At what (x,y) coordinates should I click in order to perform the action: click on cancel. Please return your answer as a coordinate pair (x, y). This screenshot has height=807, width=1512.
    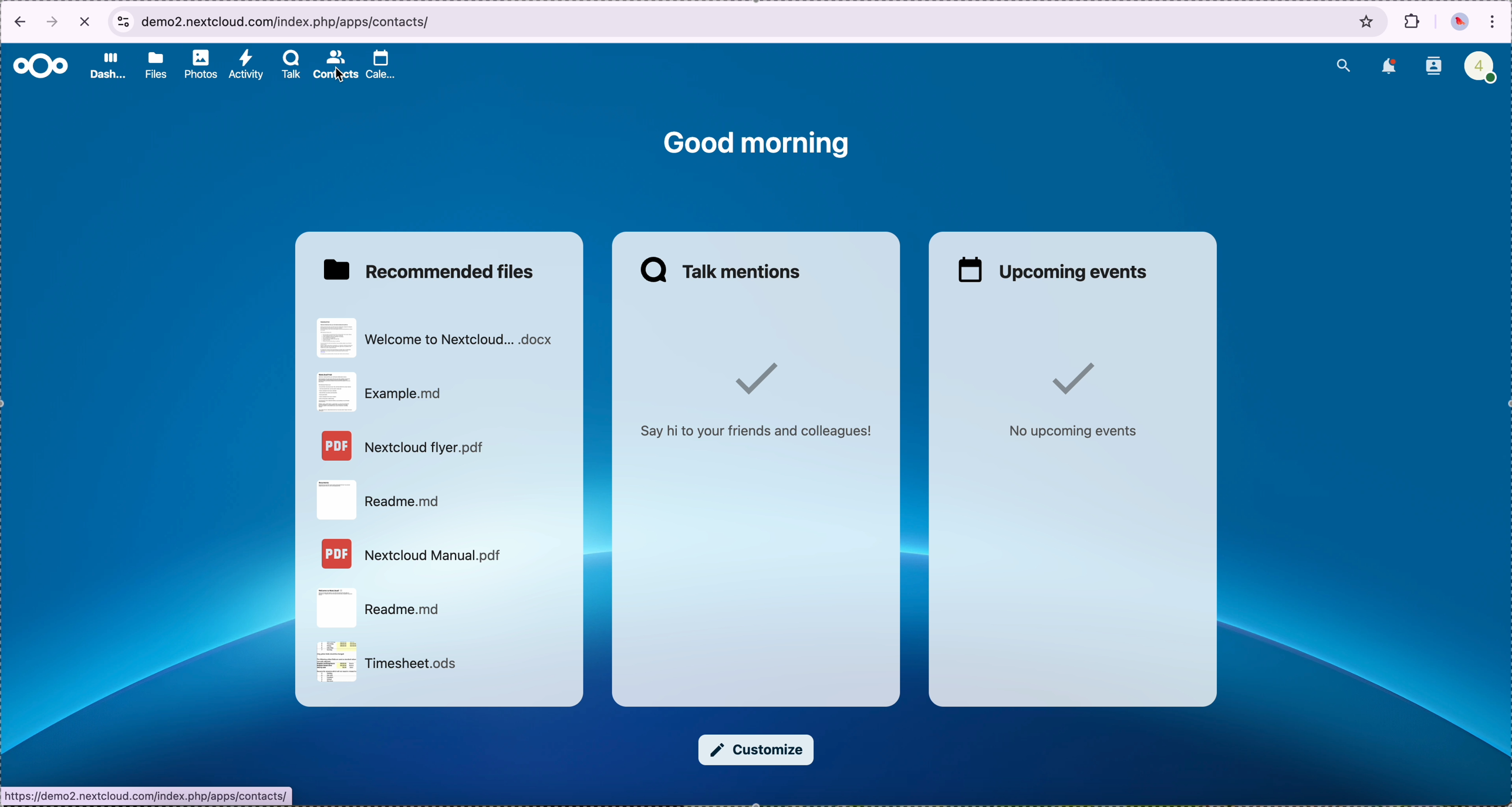
    Looking at the image, I should click on (85, 22).